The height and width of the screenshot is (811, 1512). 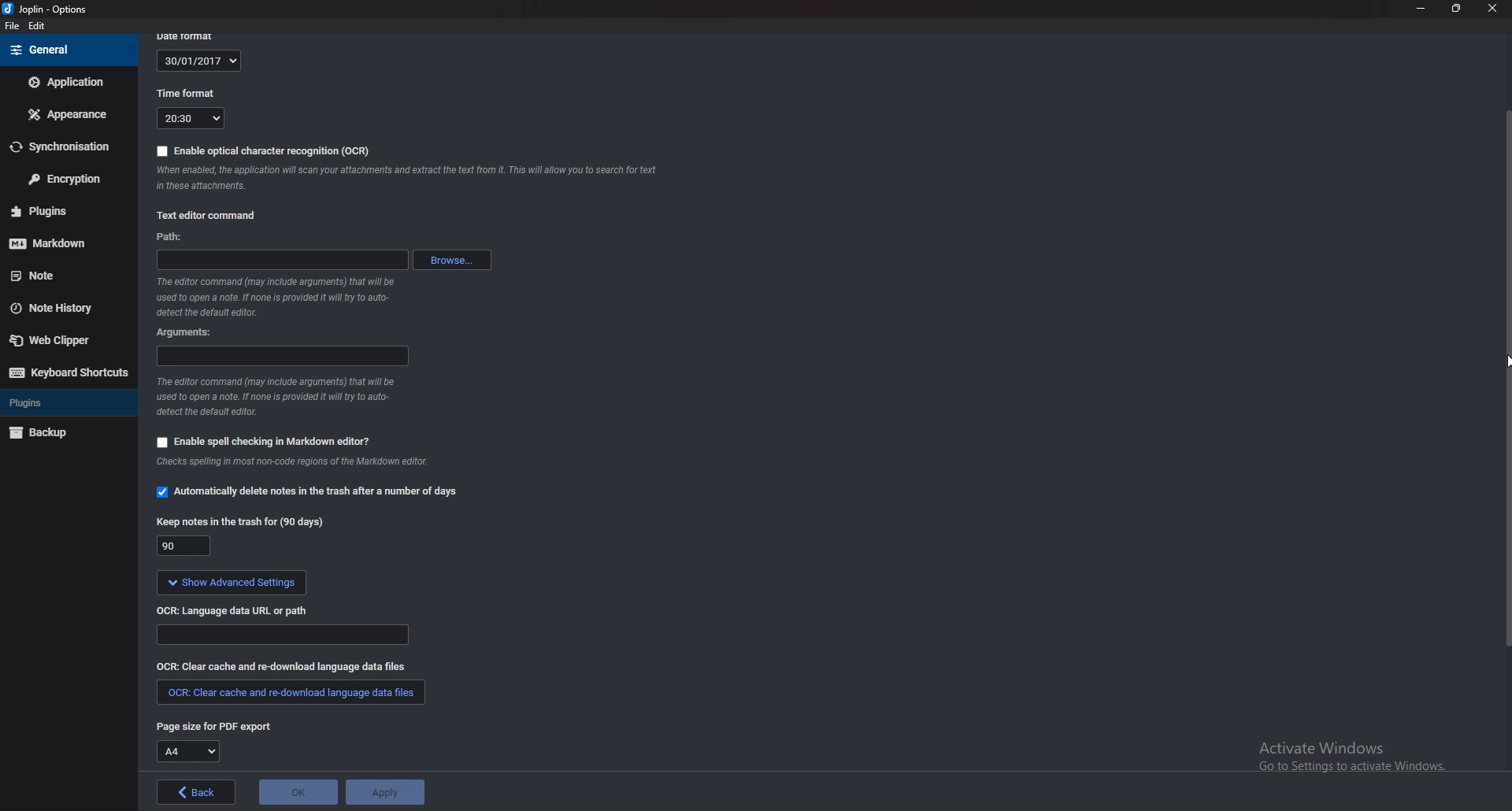 I want to click on Info on editor command, so click(x=280, y=297).